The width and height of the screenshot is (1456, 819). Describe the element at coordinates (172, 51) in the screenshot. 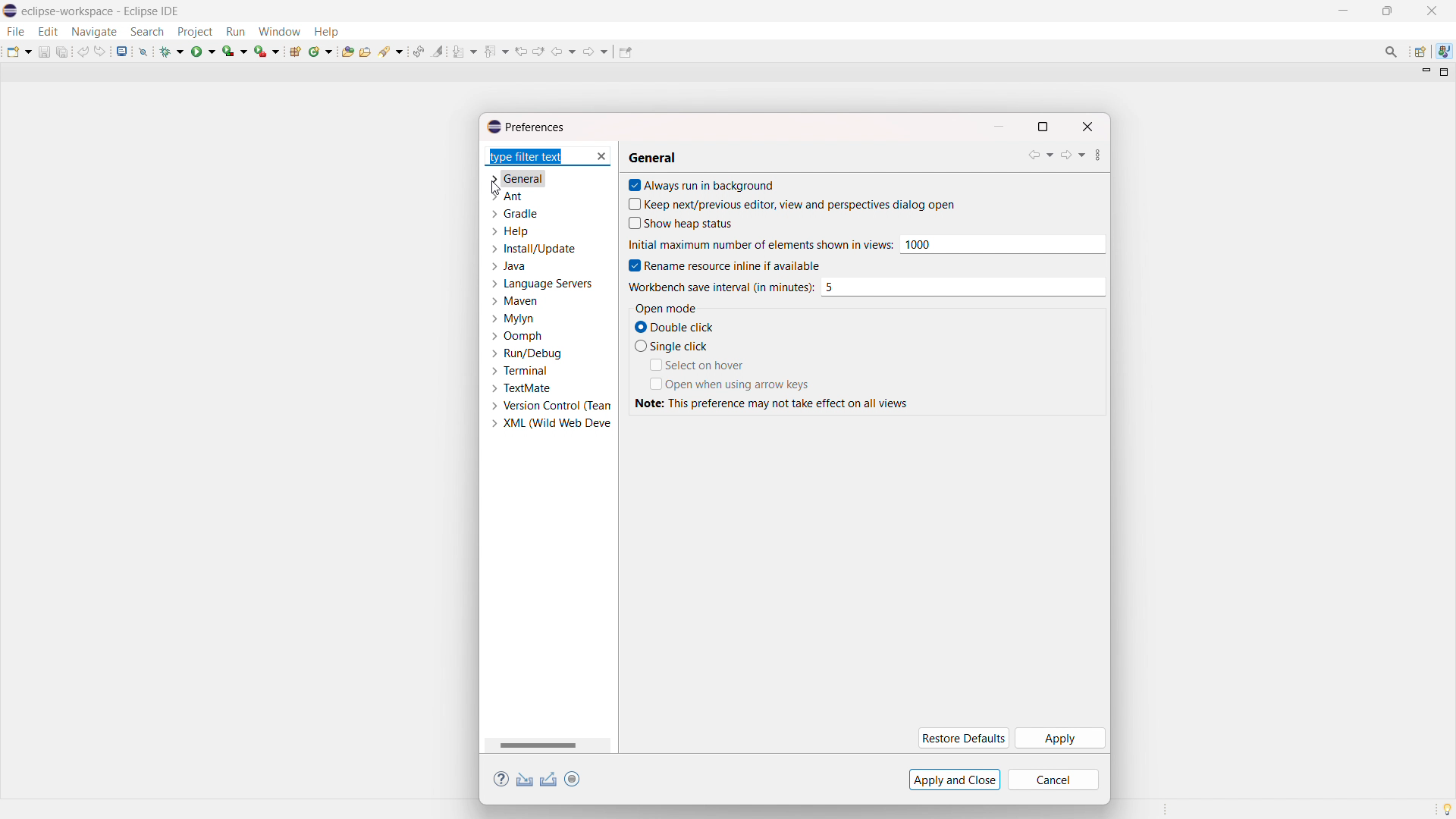

I see `debug` at that location.